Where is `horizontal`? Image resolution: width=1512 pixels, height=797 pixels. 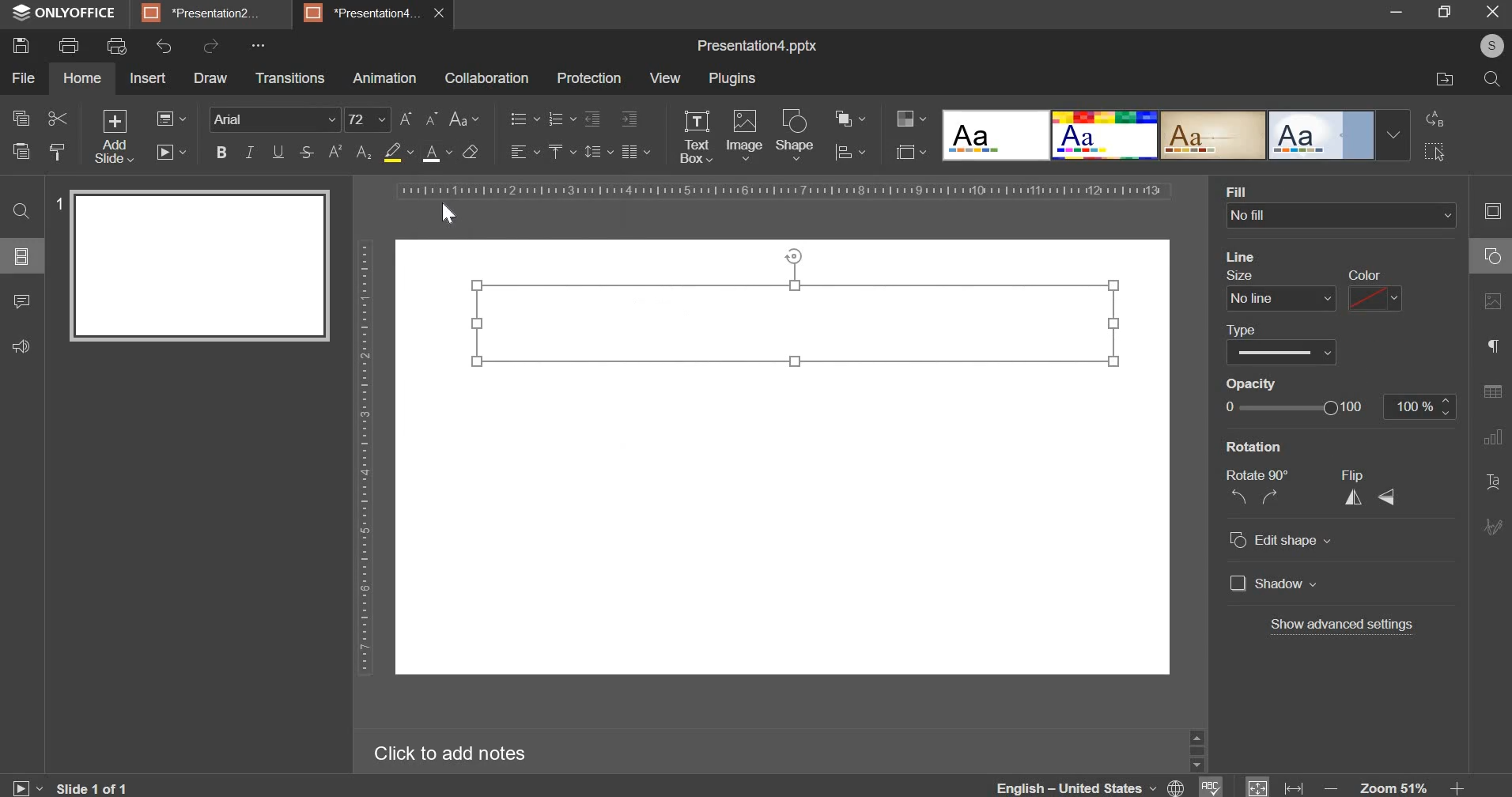 horizontal is located at coordinates (1392, 500).